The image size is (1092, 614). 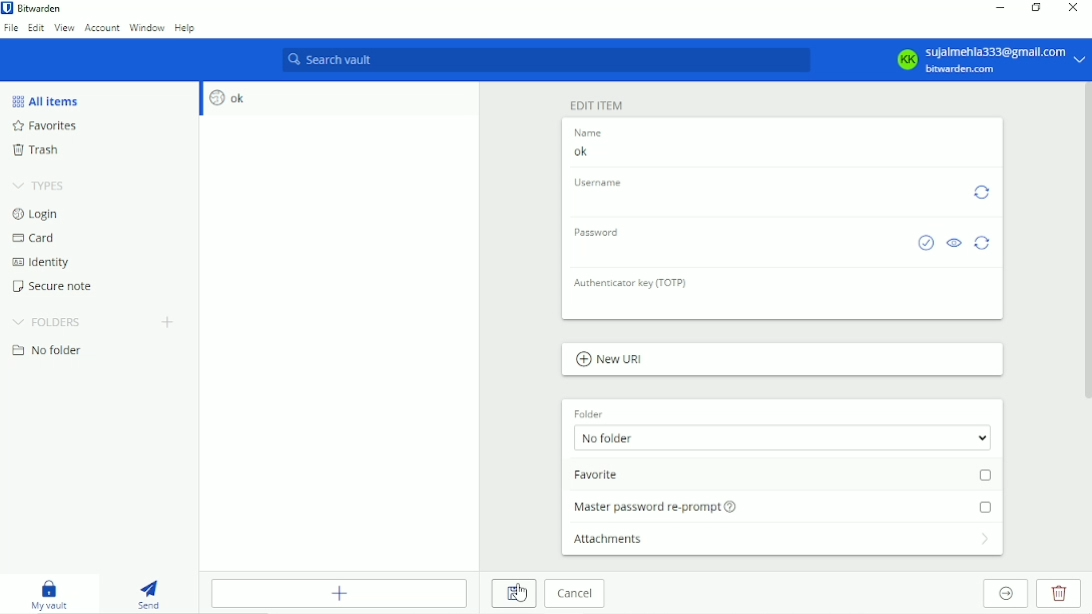 I want to click on Help, so click(x=189, y=29).